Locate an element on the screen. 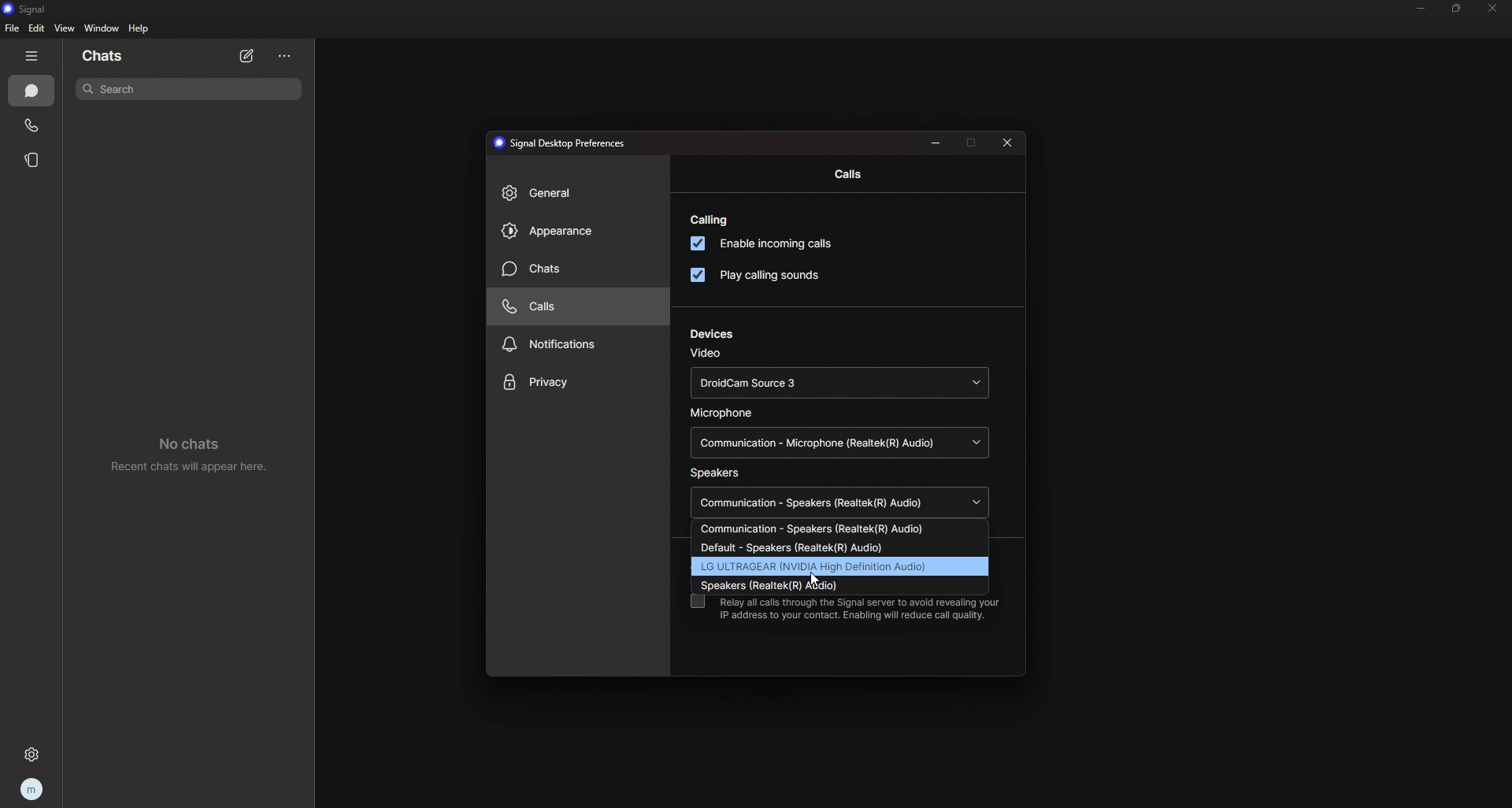  calls is located at coordinates (854, 174).